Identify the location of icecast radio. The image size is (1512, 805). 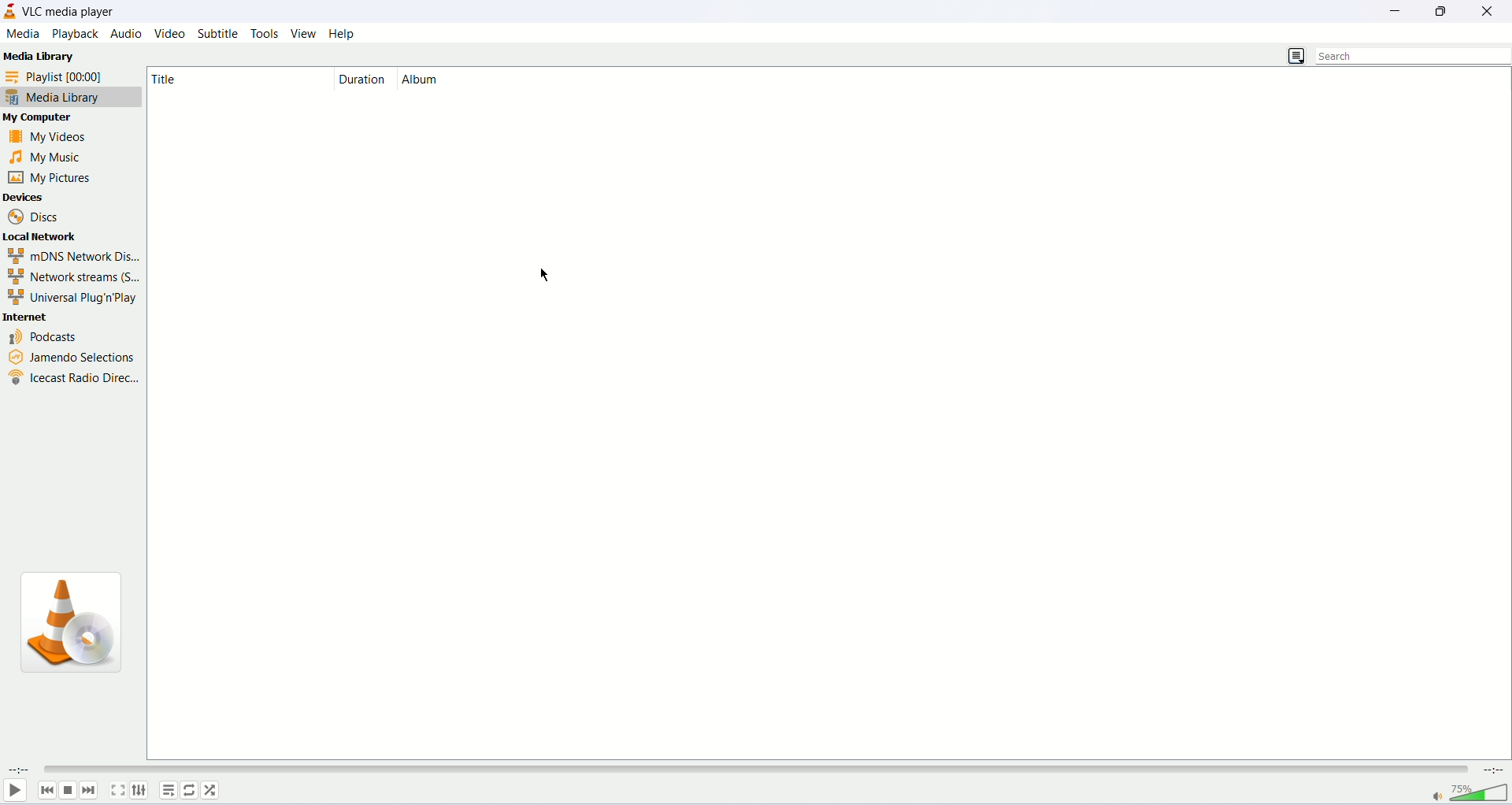
(69, 381).